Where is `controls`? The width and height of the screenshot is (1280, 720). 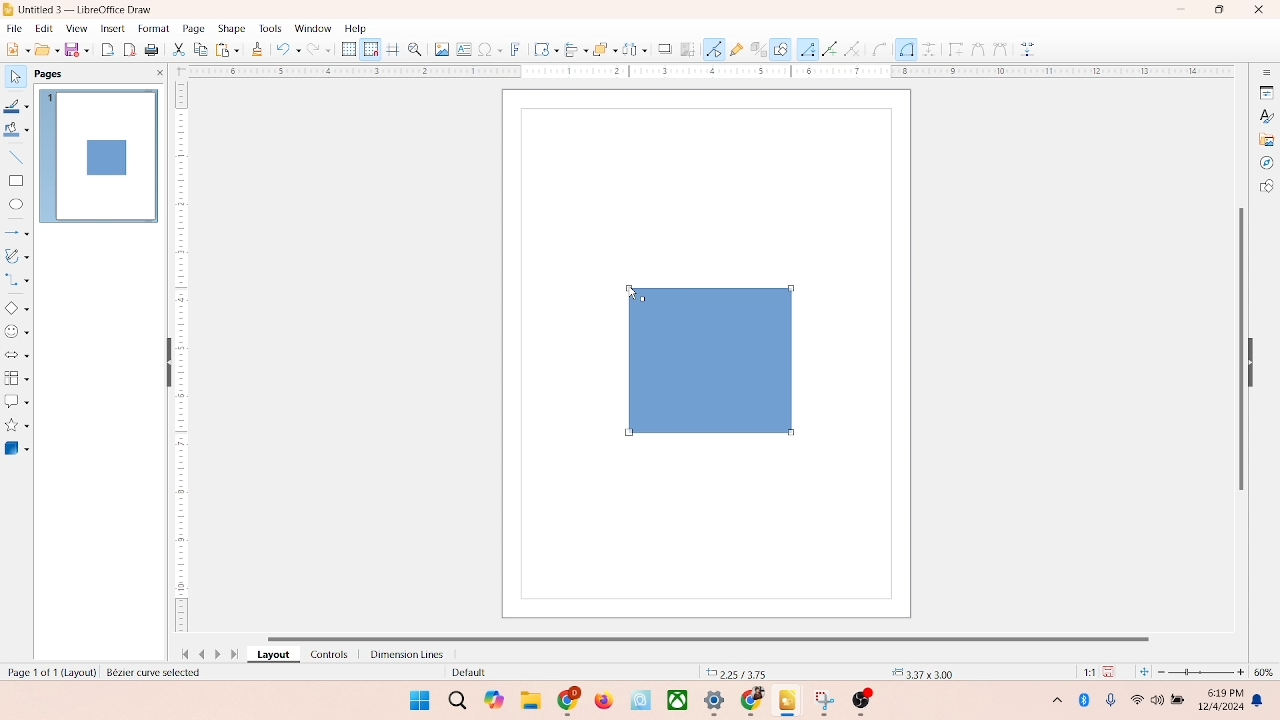 controls is located at coordinates (324, 654).